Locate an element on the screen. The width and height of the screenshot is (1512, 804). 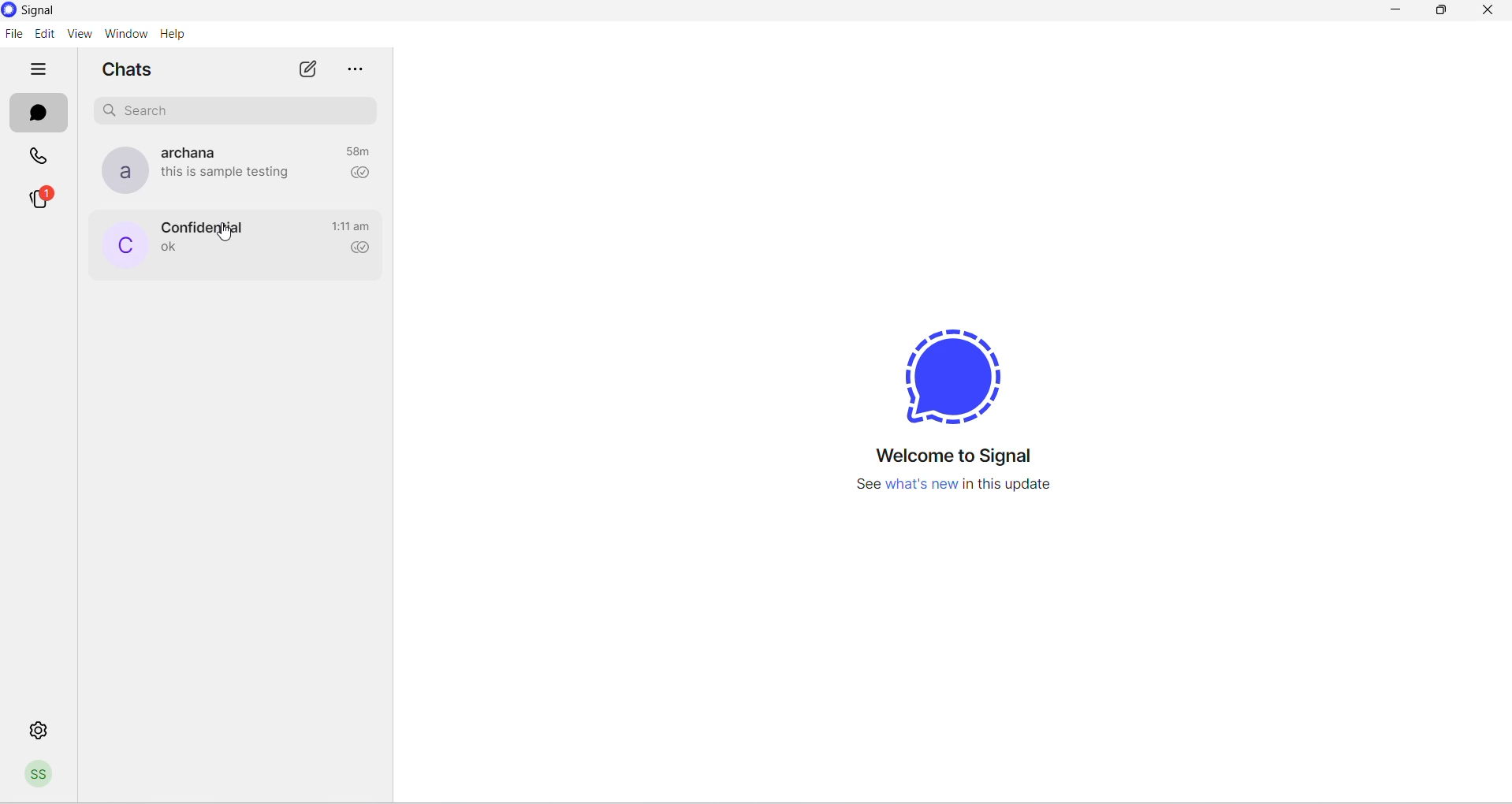
maximize is located at coordinates (1443, 14).